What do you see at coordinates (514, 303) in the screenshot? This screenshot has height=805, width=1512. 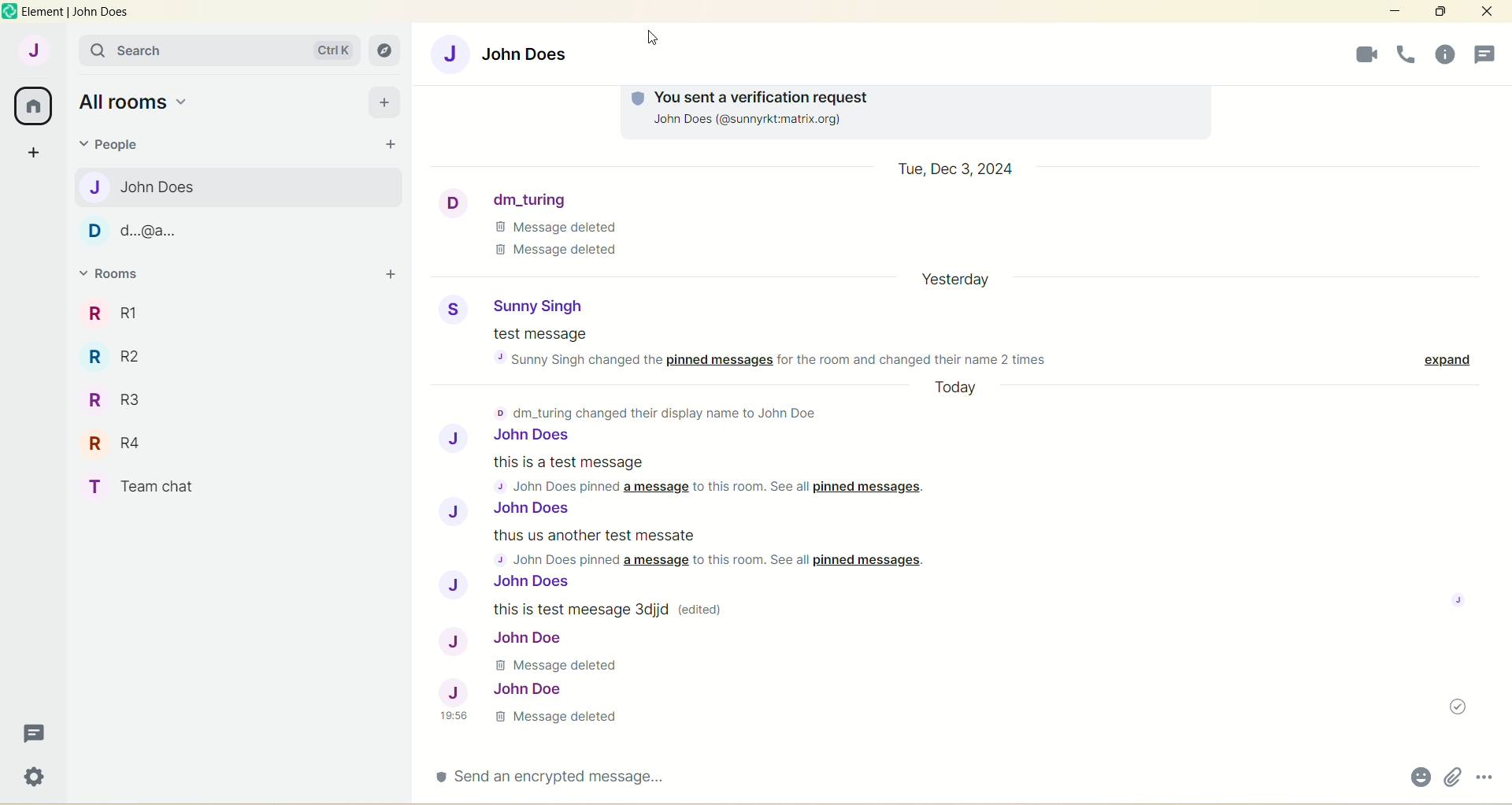 I see `Sunny Singh` at bounding box center [514, 303].